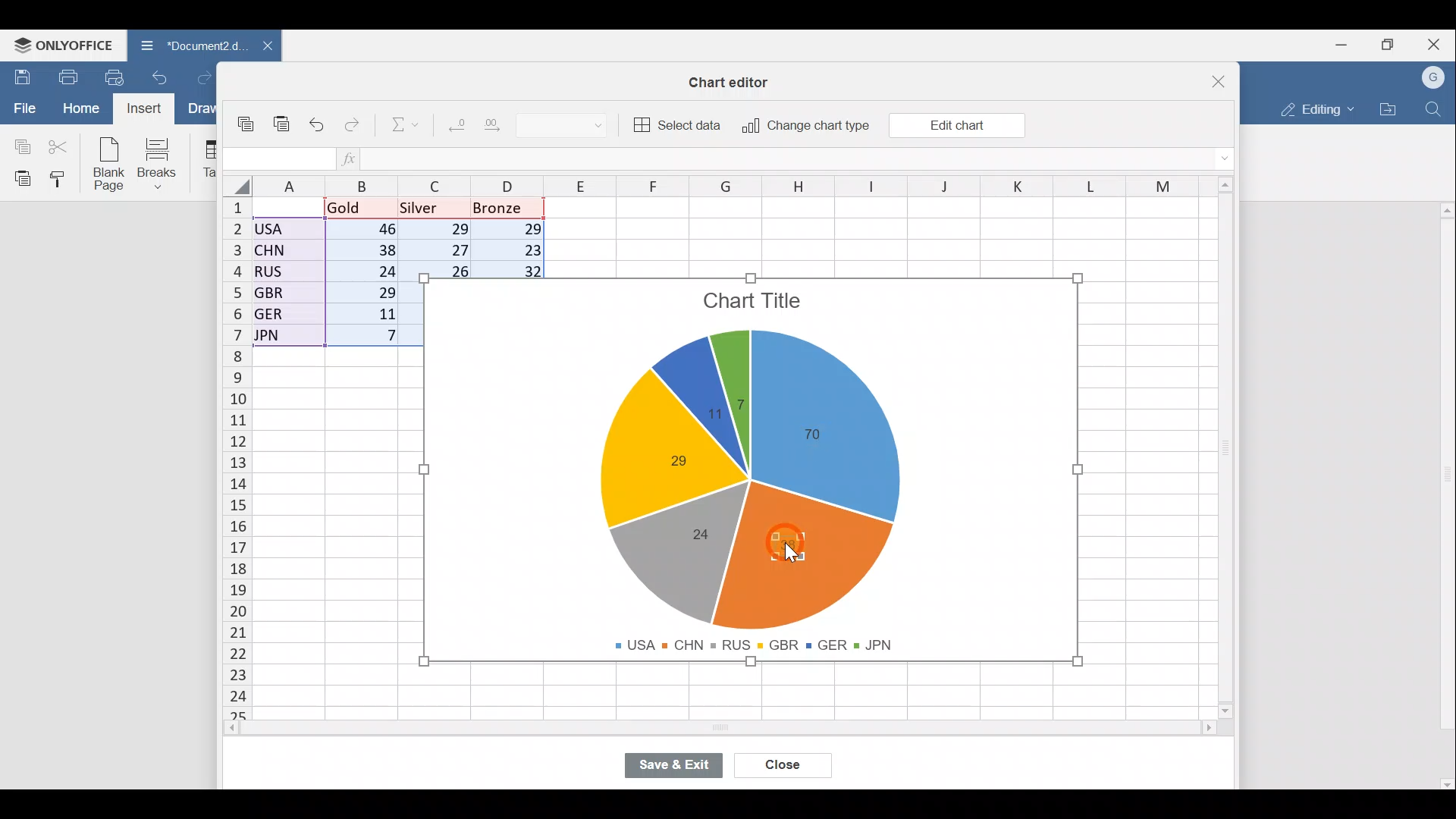 This screenshot has height=819, width=1456. What do you see at coordinates (732, 82) in the screenshot?
I see `Chart editor` at bounding box center [732, 82].